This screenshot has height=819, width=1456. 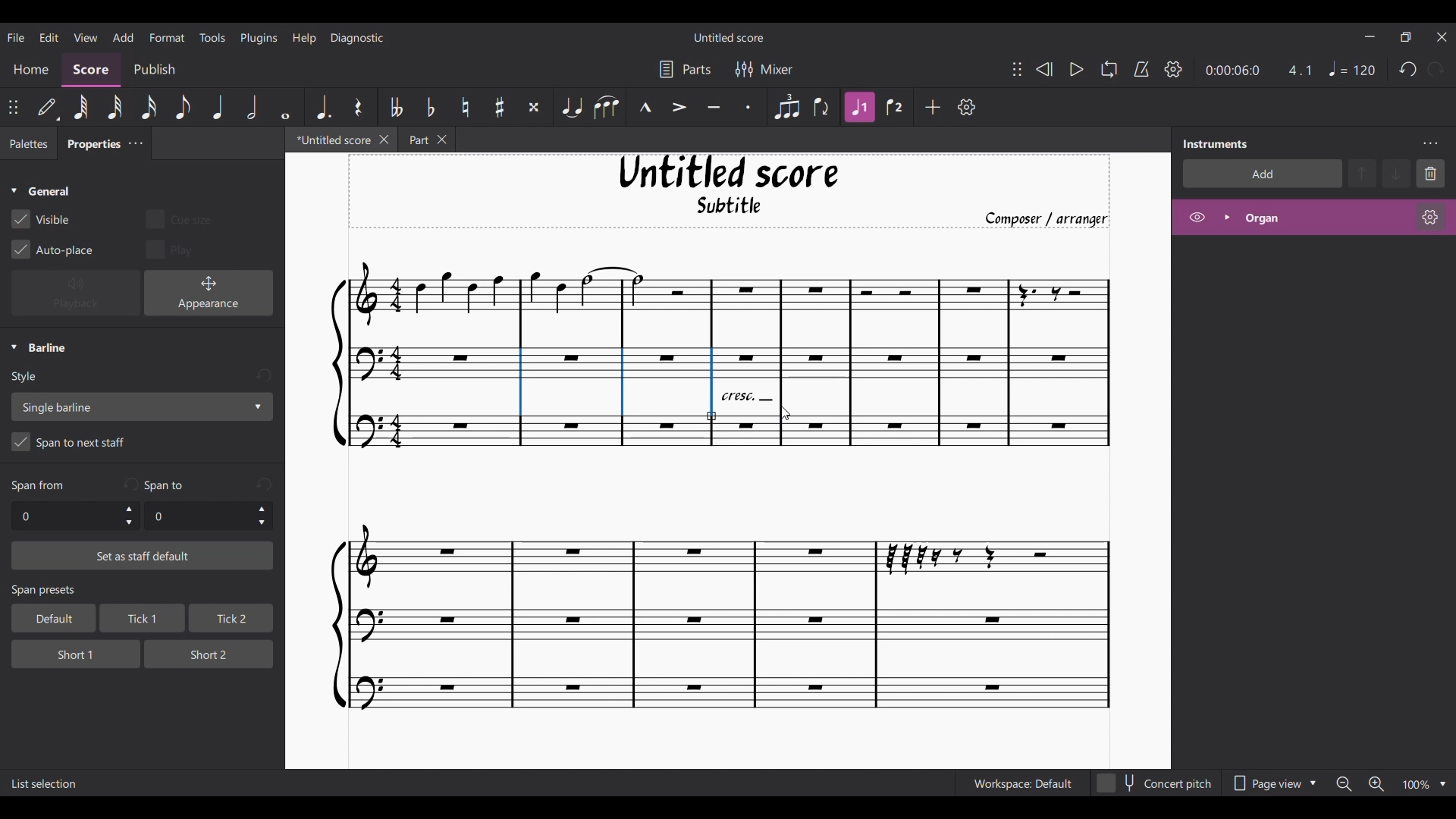 I want to click on Rest, so click(x=358, y=107).